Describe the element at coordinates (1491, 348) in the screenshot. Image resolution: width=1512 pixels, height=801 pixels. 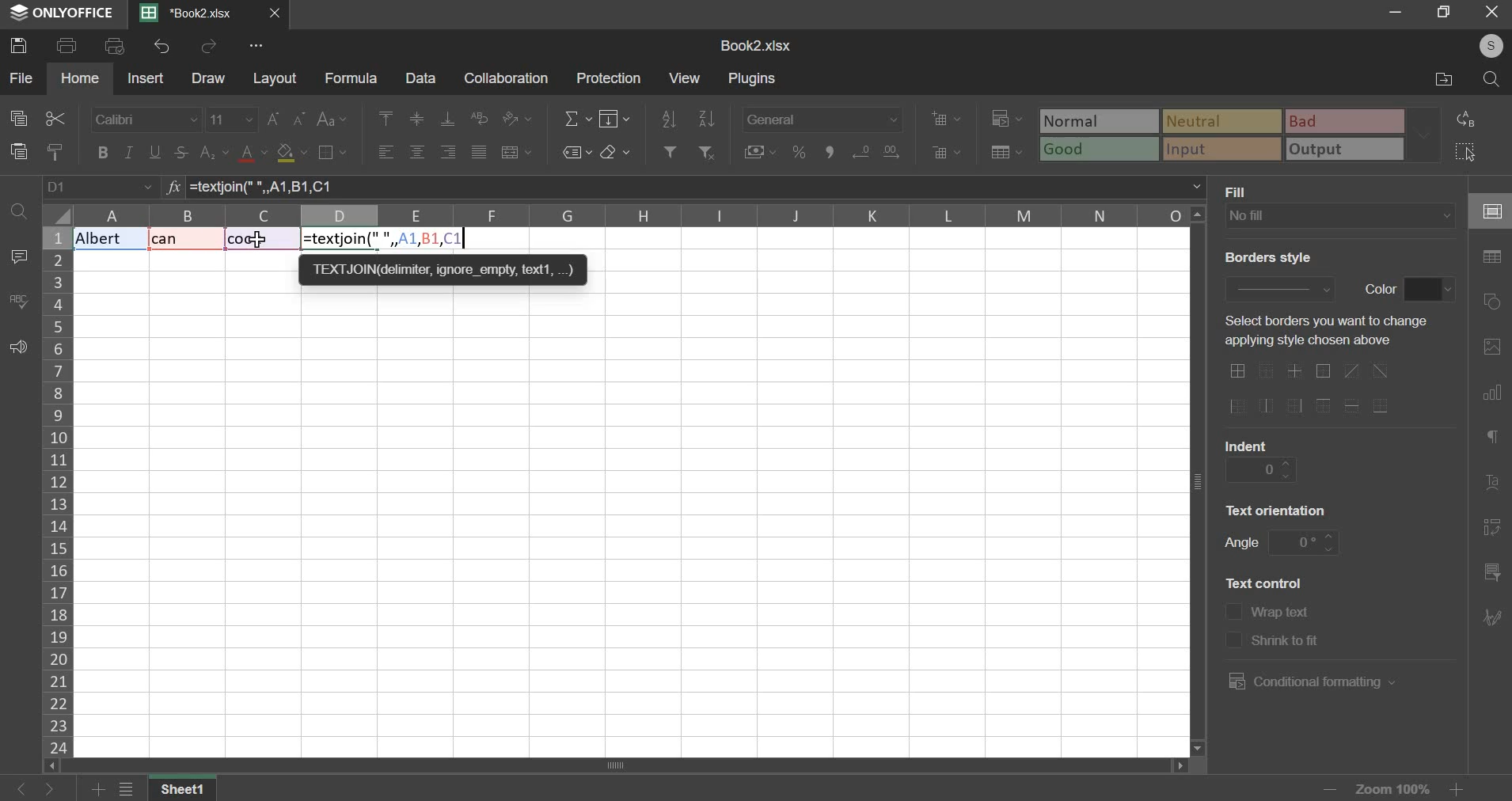
I see `picture or video` at that location.